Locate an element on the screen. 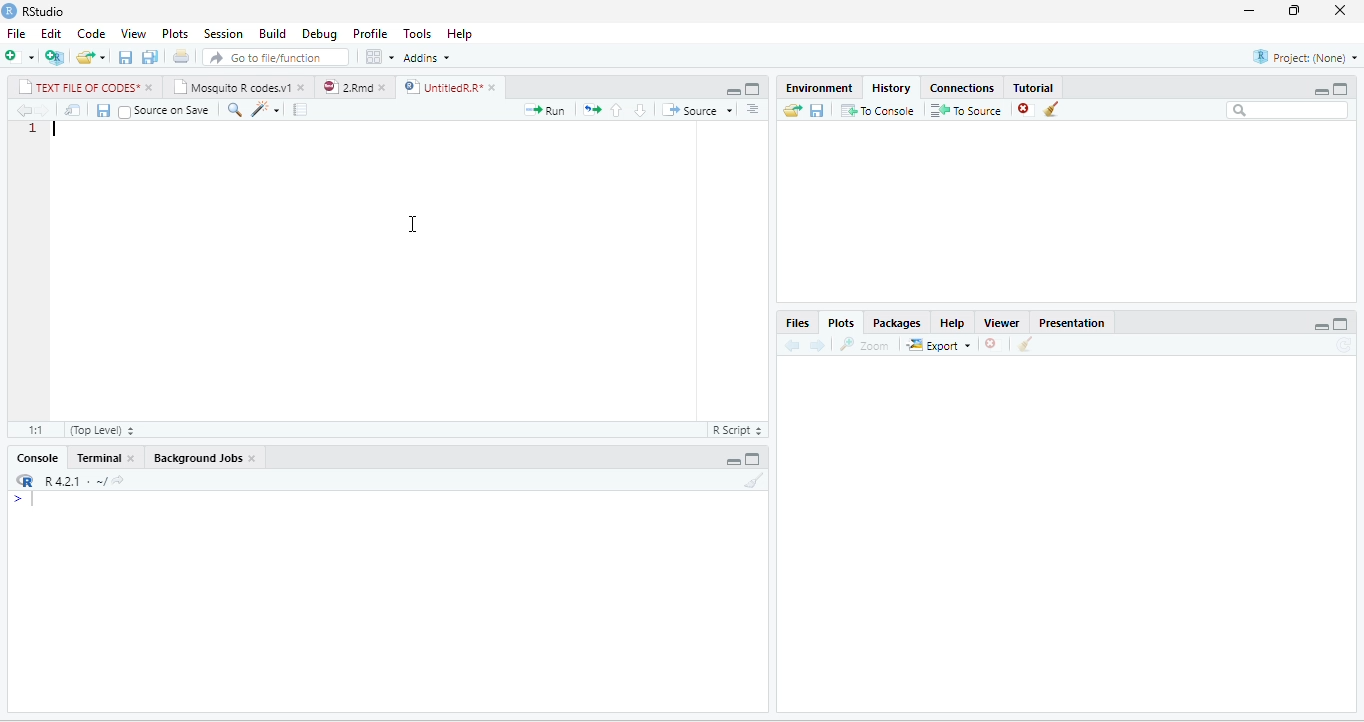 This screenshot has height=722, width=1364. save all is located at coordinates (149, 56).